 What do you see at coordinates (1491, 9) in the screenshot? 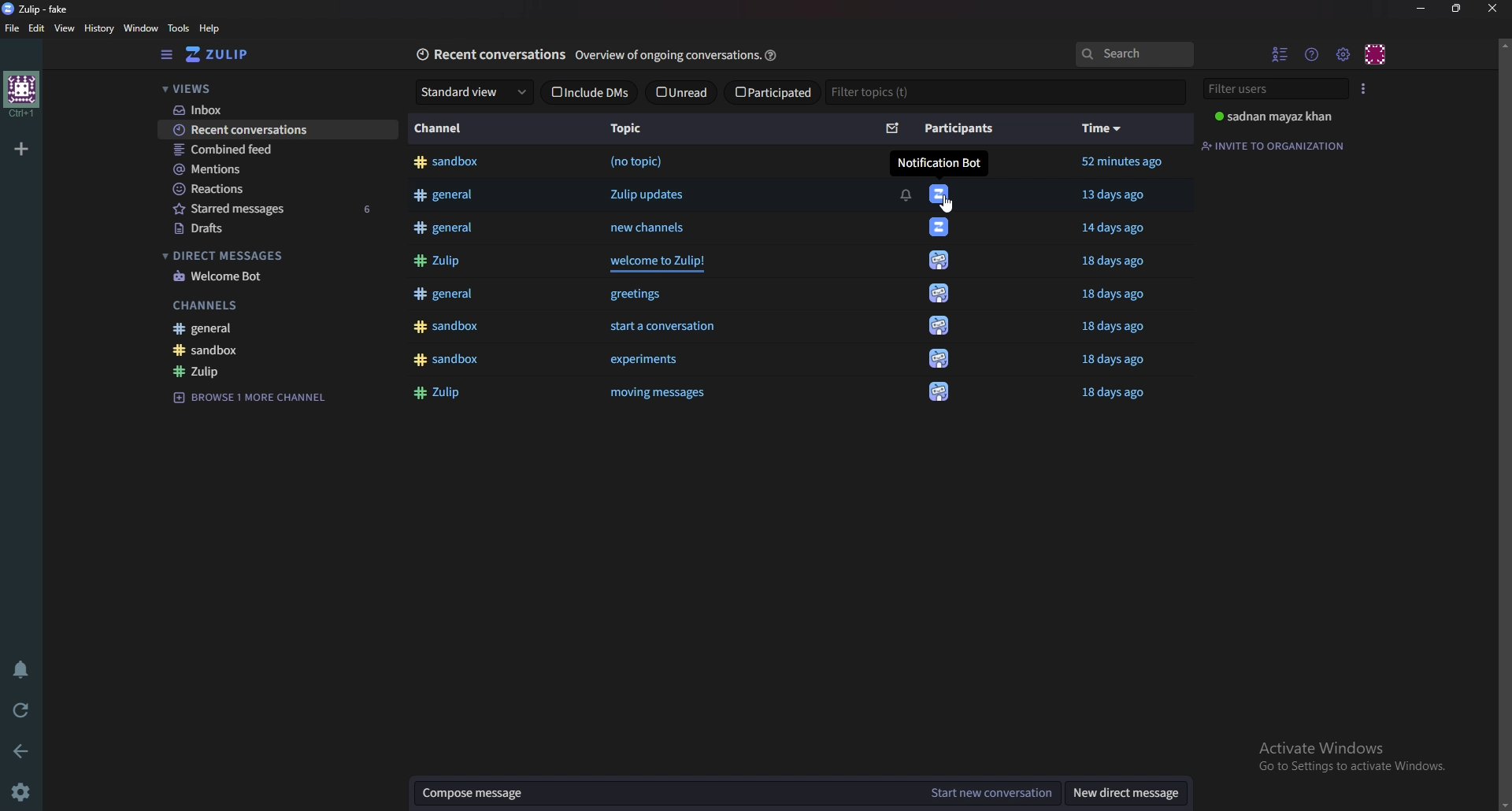
I see `close` at bounding box center [1491, 9].